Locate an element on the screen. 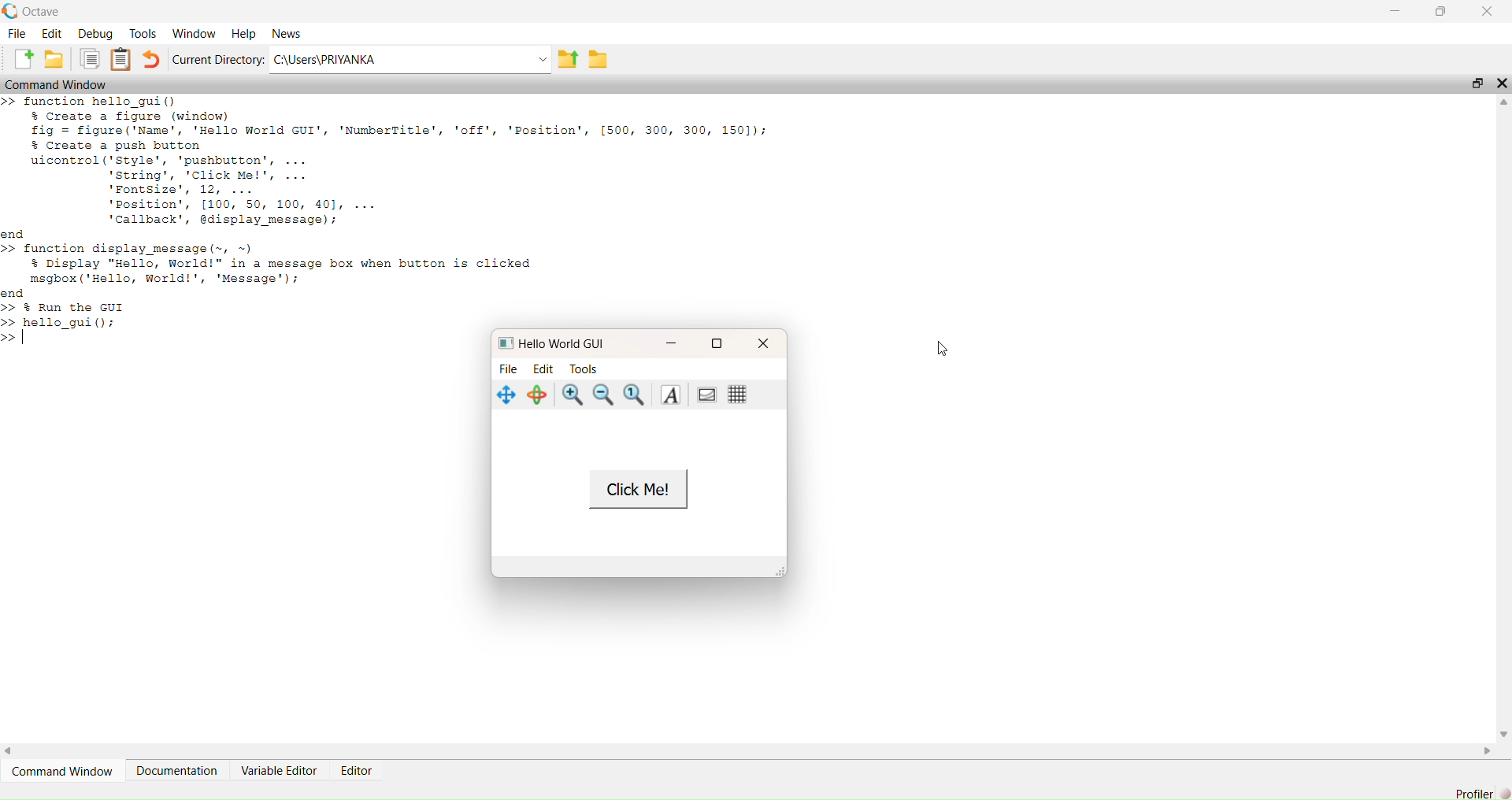  Tools is located at coordinates (143, 31).